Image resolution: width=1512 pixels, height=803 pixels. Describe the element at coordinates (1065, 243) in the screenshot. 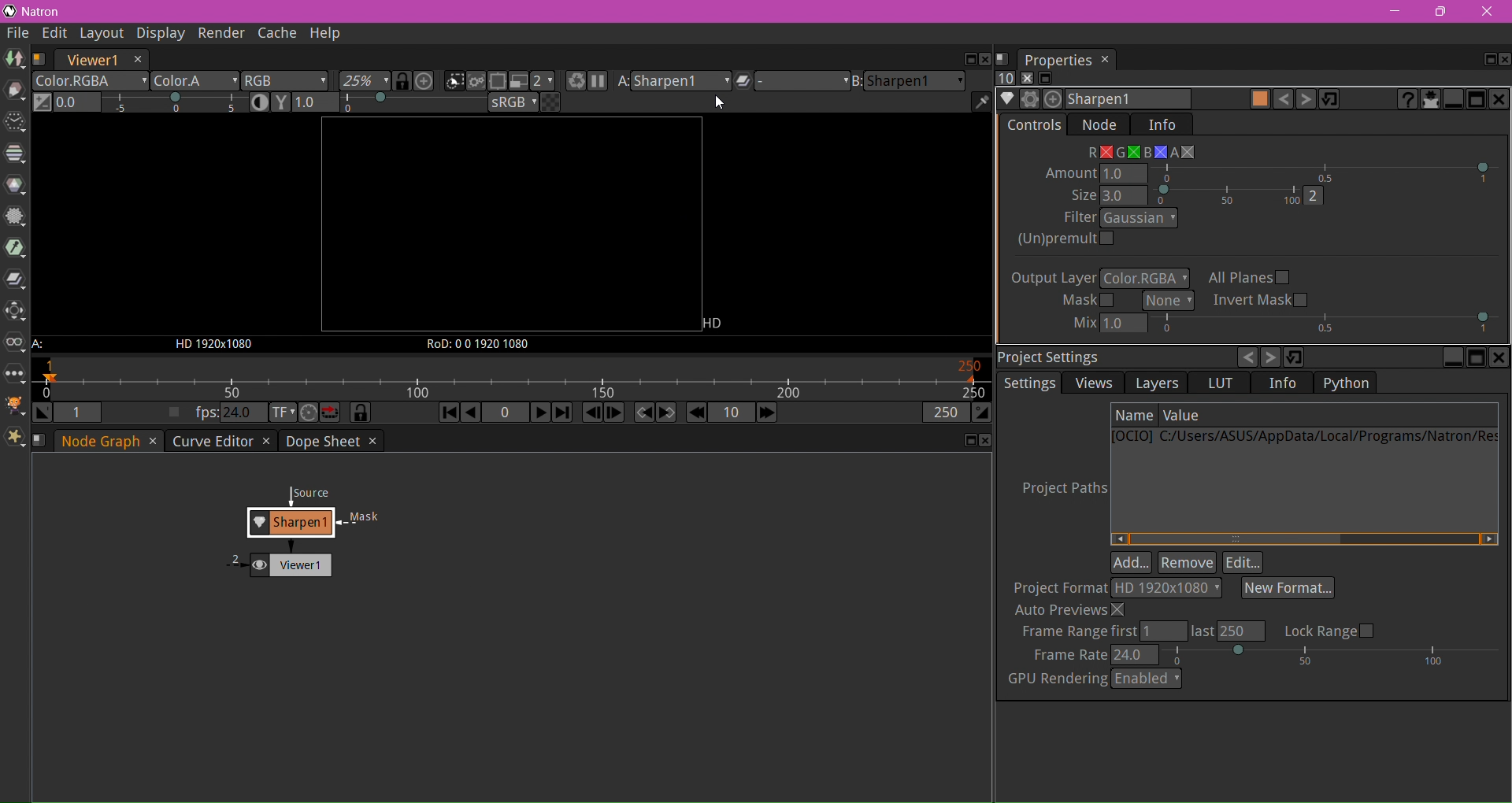

I see `` at that location.